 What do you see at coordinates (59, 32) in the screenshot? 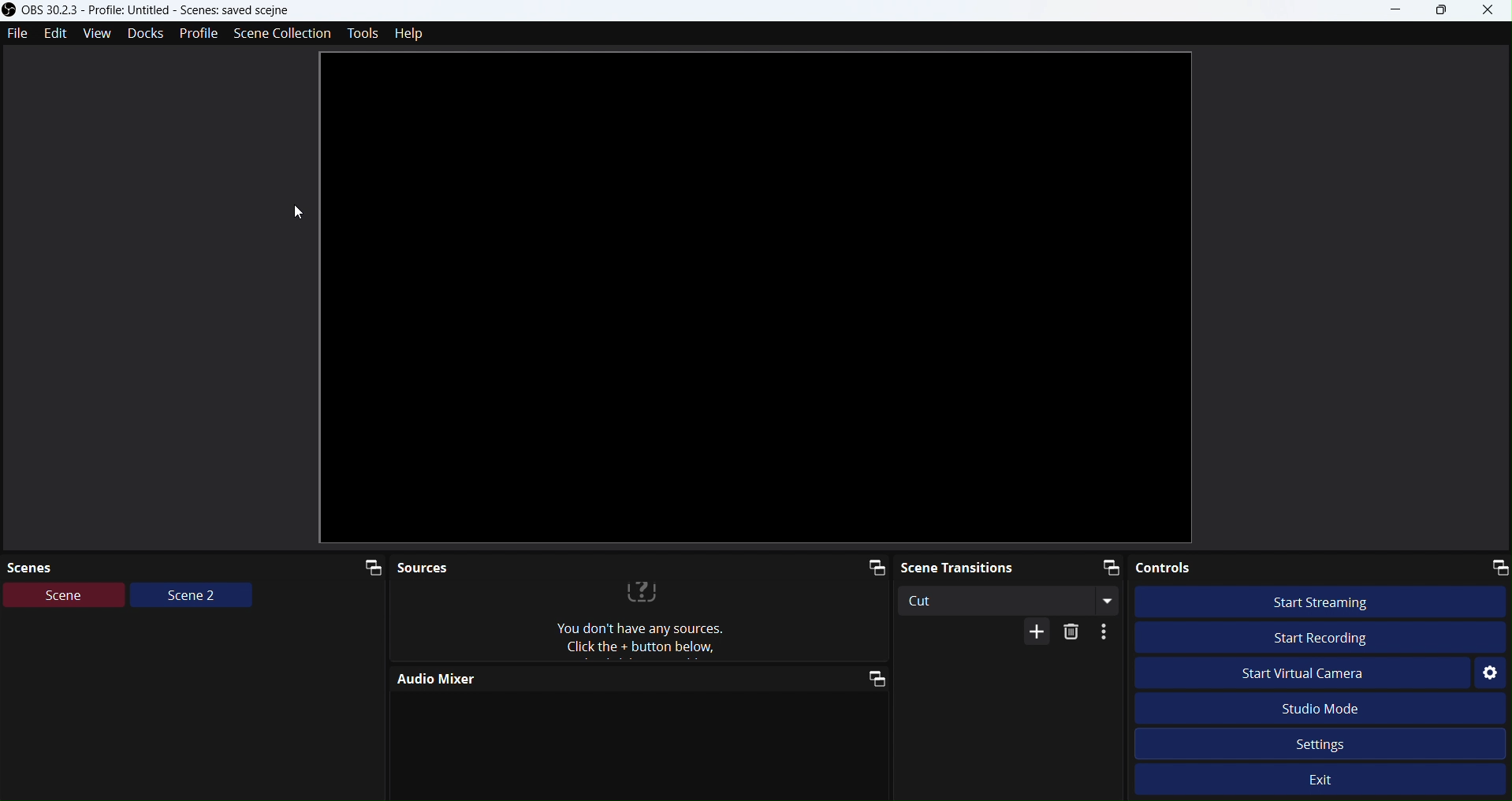
I see `Edit` at bounding box center [59, 32].